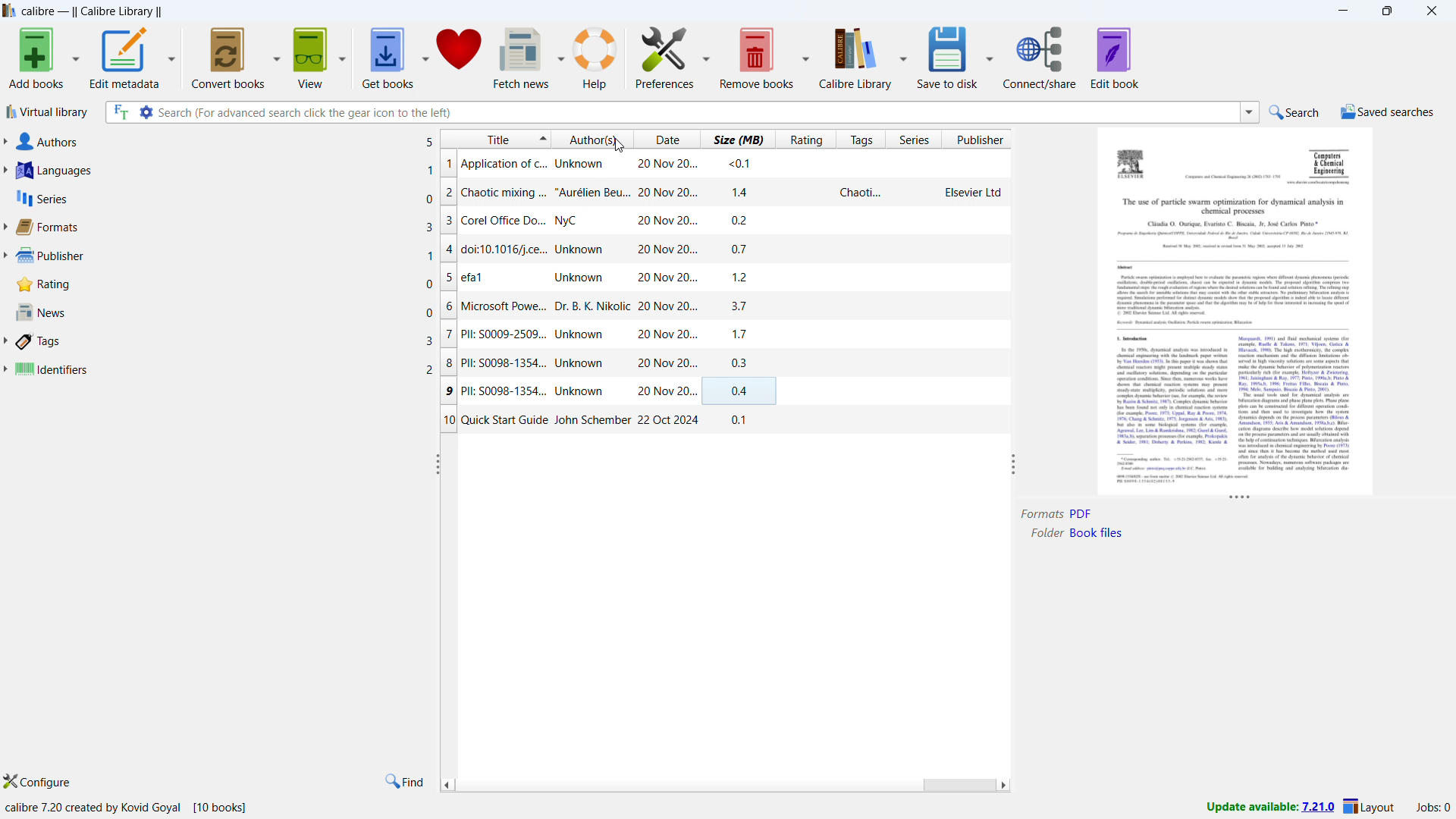 This screenshot has width=1456, height=819. What do you see at coordinates (1432, 805) in the screenshot?
I see `active jobs` at bounding box center [1432, 805].